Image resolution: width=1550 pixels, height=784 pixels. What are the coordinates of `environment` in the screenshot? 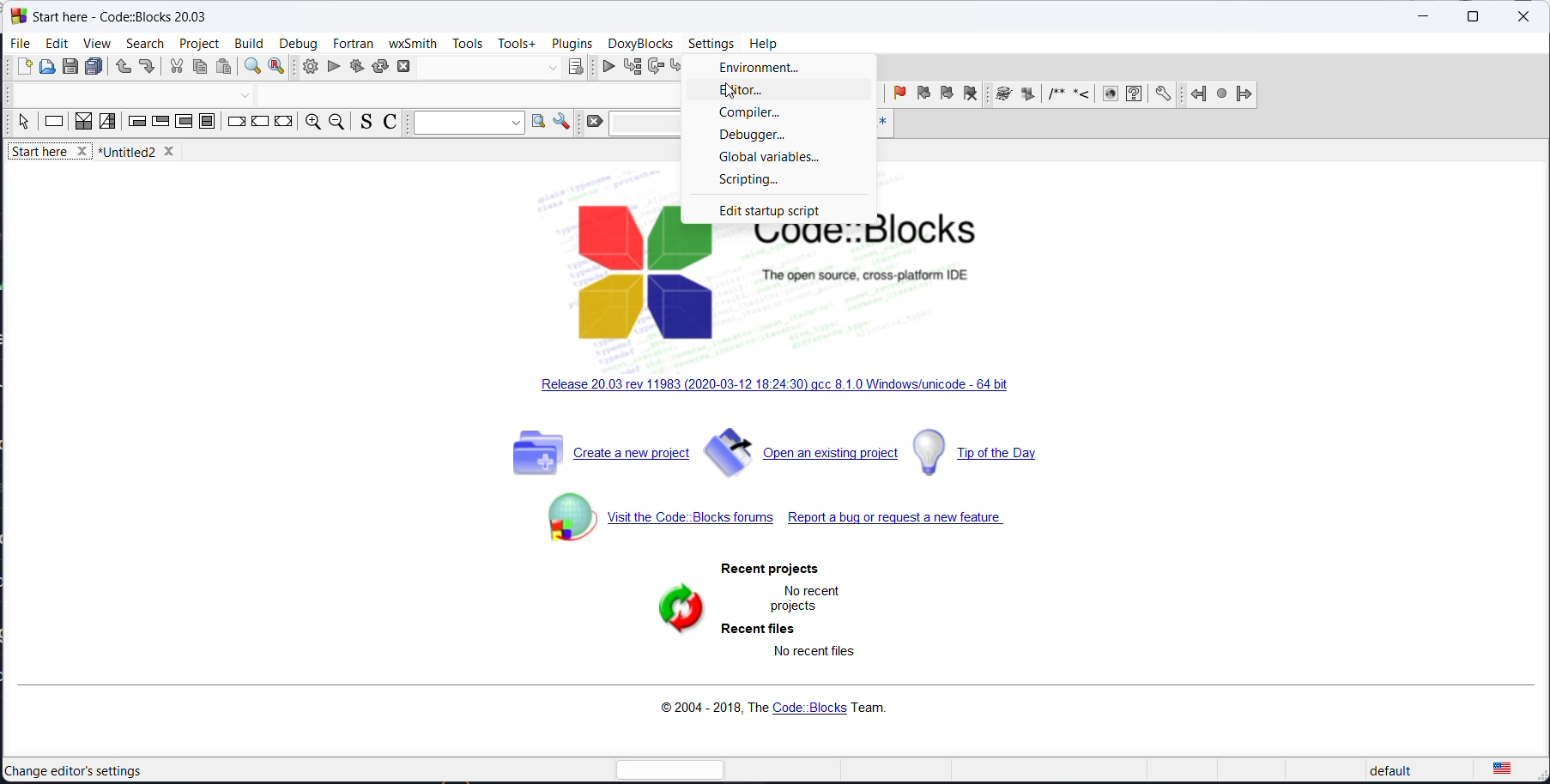 It's located at (773, 69).